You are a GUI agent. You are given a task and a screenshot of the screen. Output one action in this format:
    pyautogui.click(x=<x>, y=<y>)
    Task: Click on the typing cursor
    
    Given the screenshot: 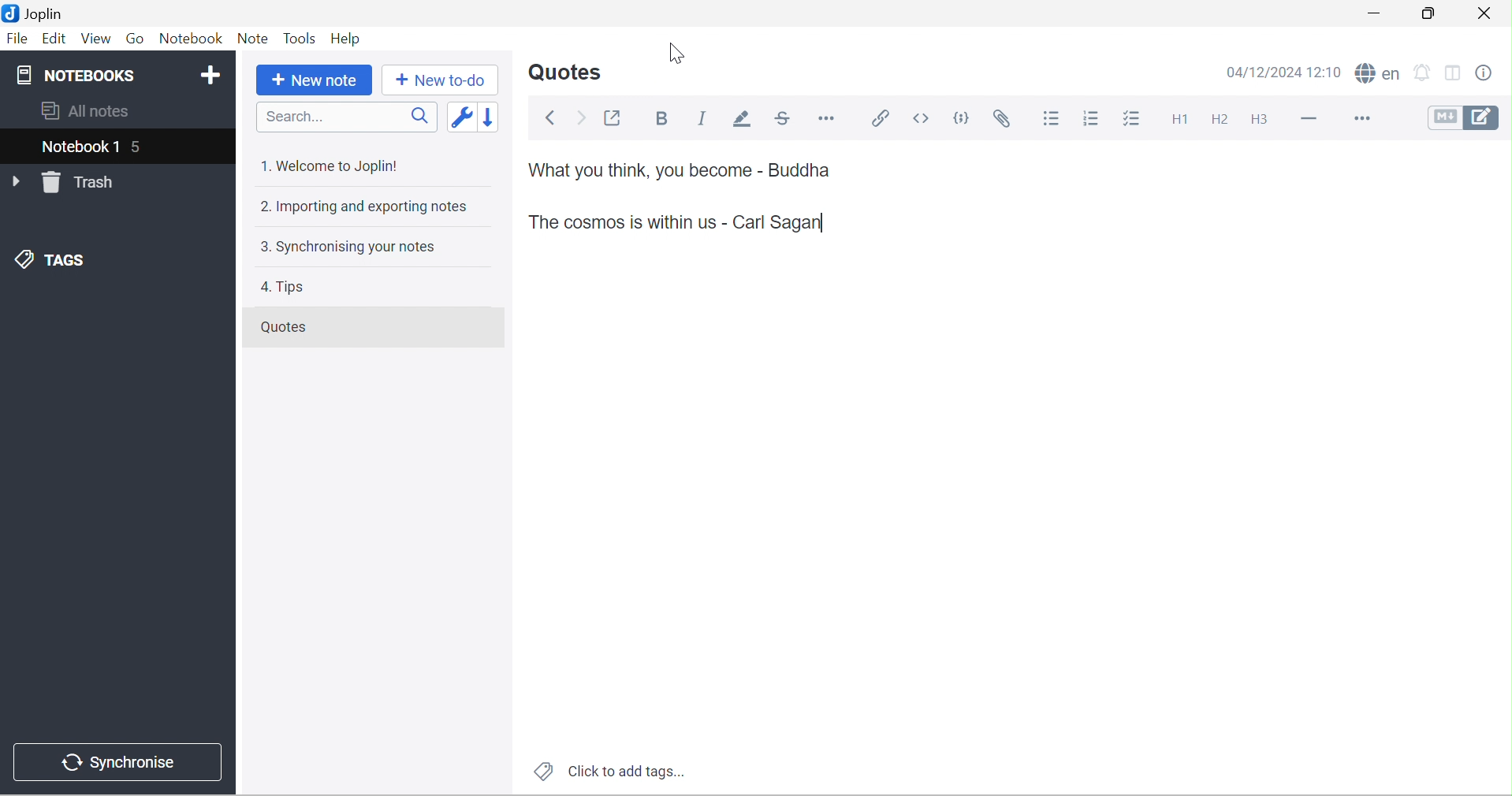 What is the action you would take?
    pyautogui.click(x=824, y=221)
    